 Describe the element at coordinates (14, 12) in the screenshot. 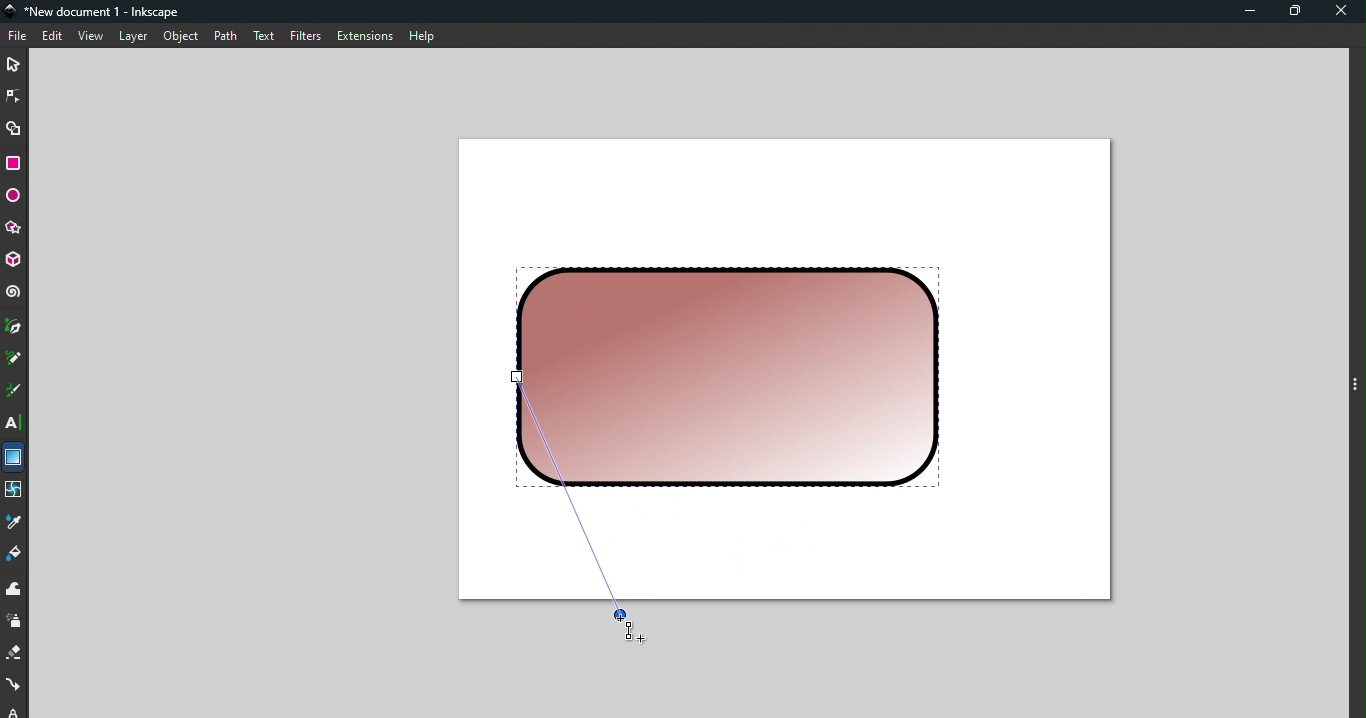

I see `logo` at that location.